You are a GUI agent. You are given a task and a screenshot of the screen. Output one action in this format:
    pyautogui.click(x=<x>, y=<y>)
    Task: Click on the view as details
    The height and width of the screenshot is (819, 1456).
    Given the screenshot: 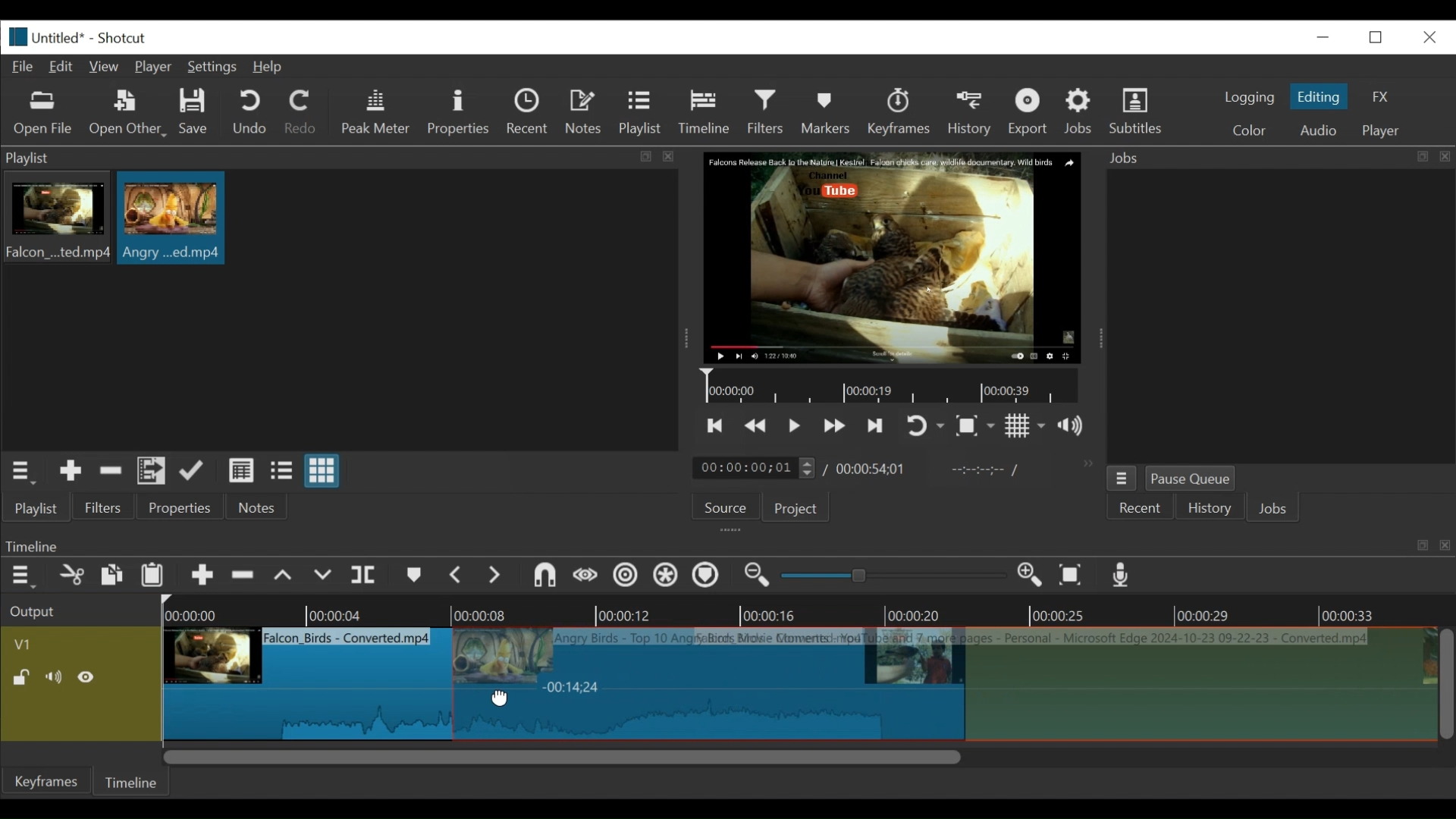 What is the action you would take?
    pyautogui.click(x=242, y=470)
    